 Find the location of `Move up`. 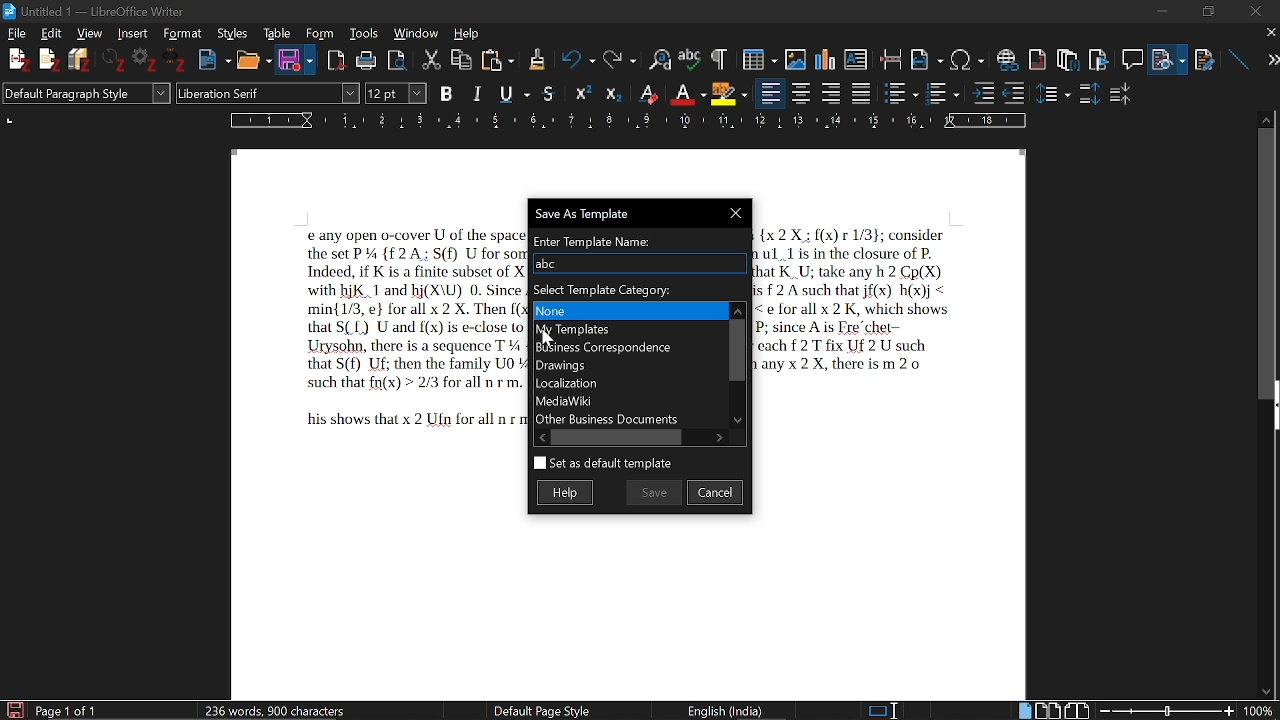

Move up is located at coordinates (737, 308).